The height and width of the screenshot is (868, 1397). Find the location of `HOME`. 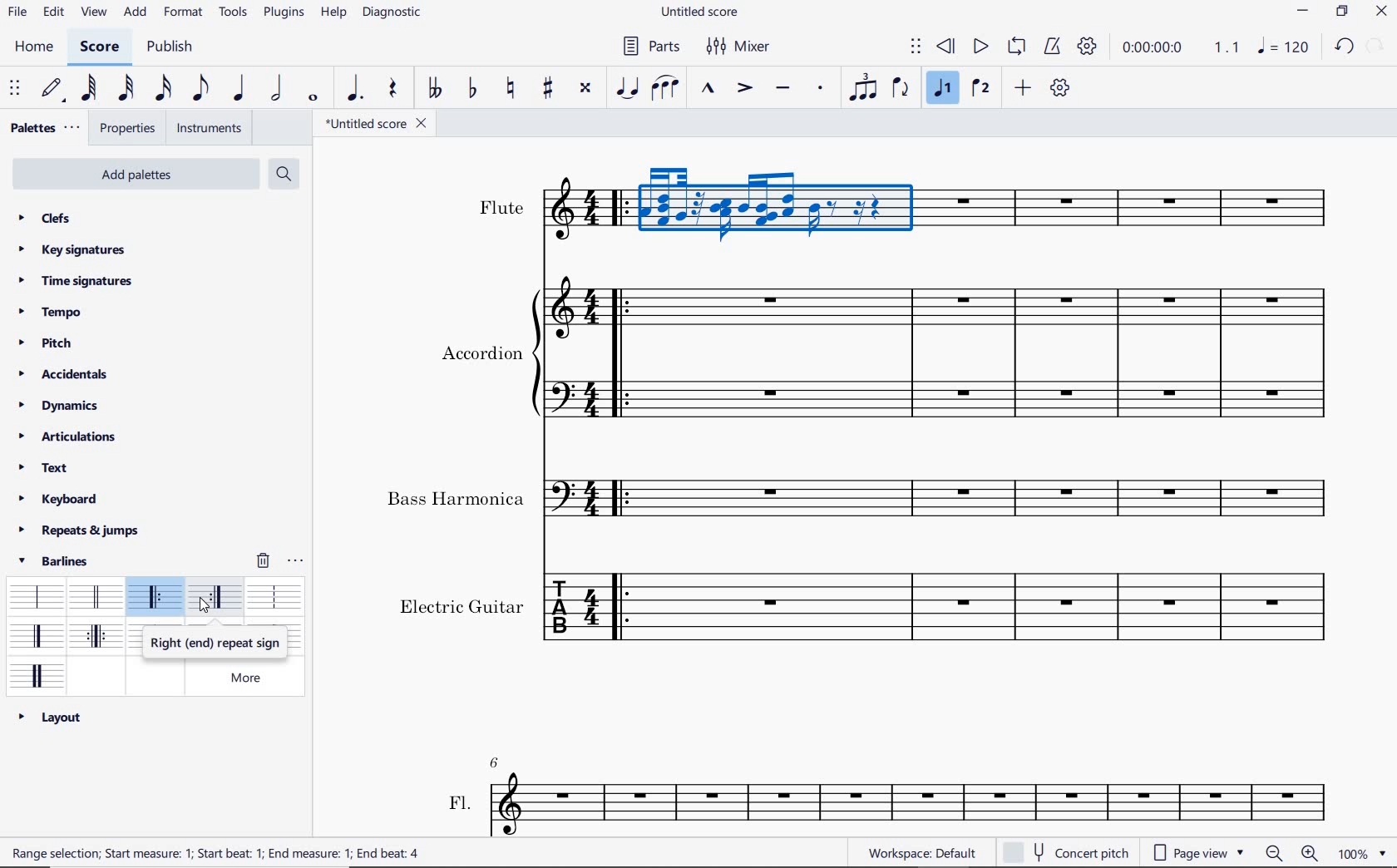

HOME is located at coordinates (35, 49).